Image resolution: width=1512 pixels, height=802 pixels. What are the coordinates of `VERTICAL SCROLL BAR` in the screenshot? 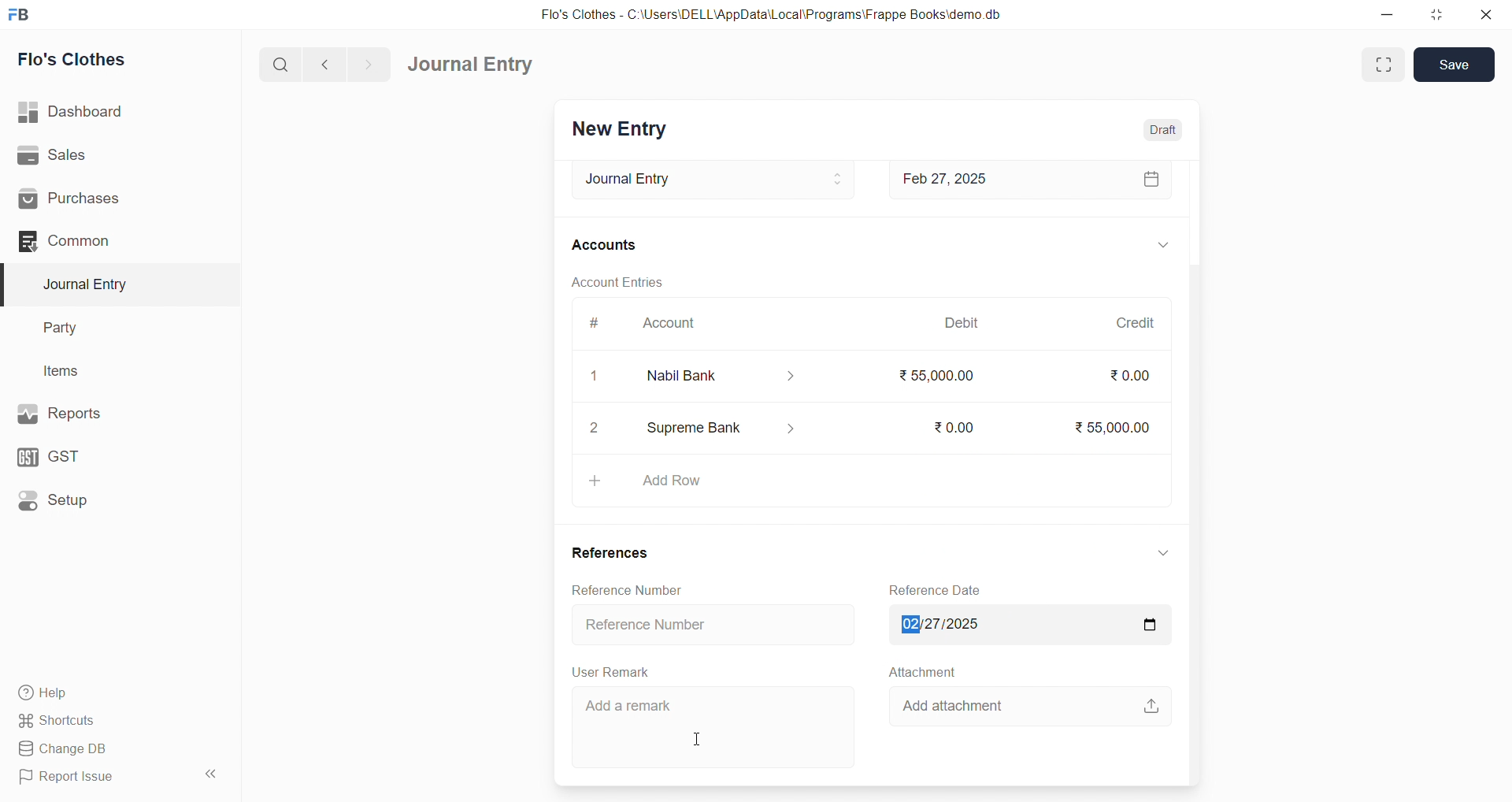 It's located at (1192, 472).